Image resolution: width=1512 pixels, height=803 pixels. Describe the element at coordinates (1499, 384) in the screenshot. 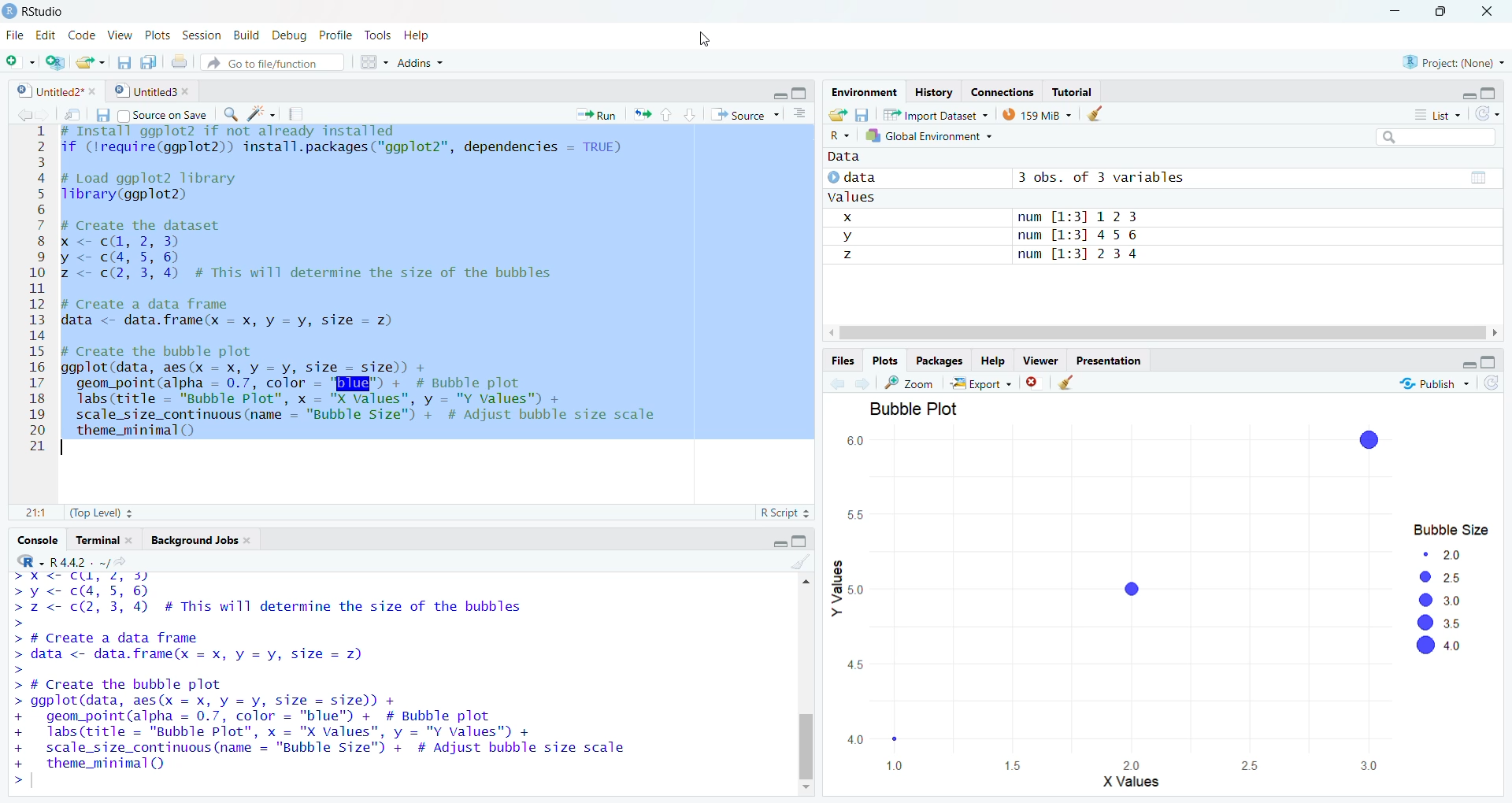

I see `refresh` at that location.